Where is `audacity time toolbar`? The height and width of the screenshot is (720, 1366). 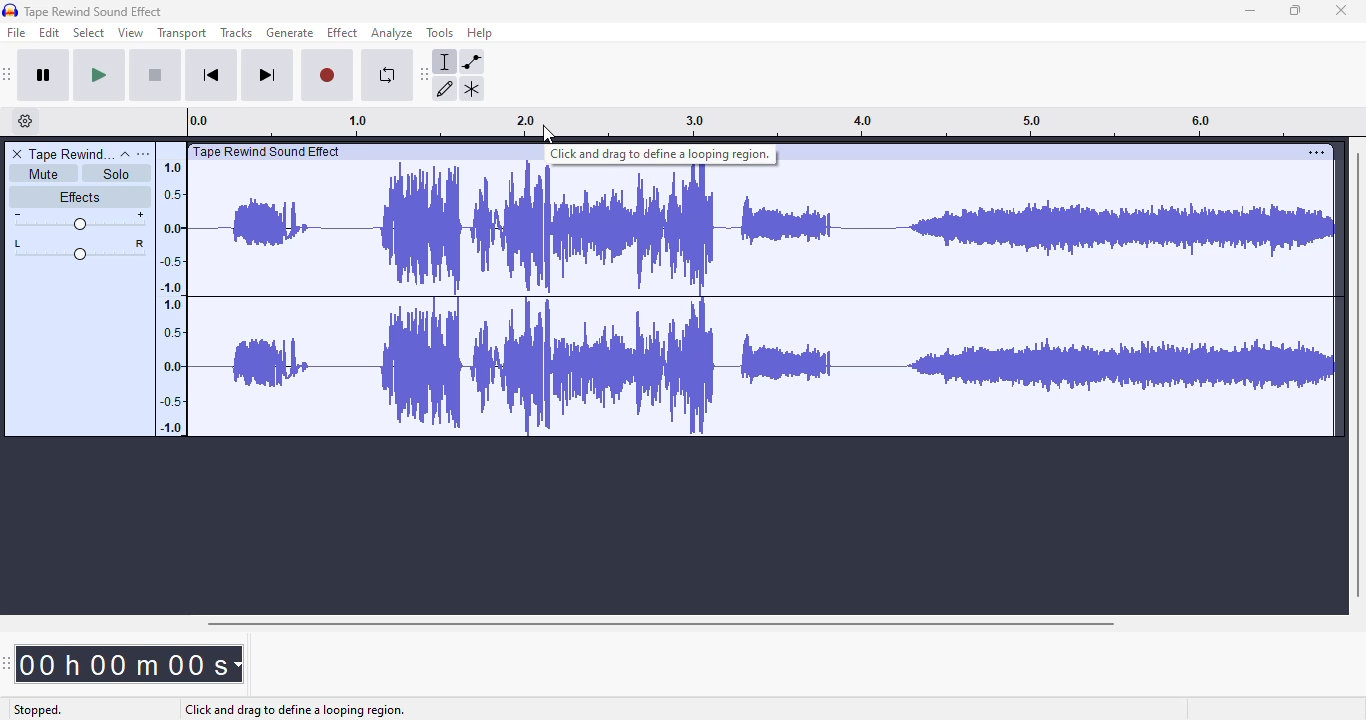 audacity time toolbar is located at coordinates (7, 662).